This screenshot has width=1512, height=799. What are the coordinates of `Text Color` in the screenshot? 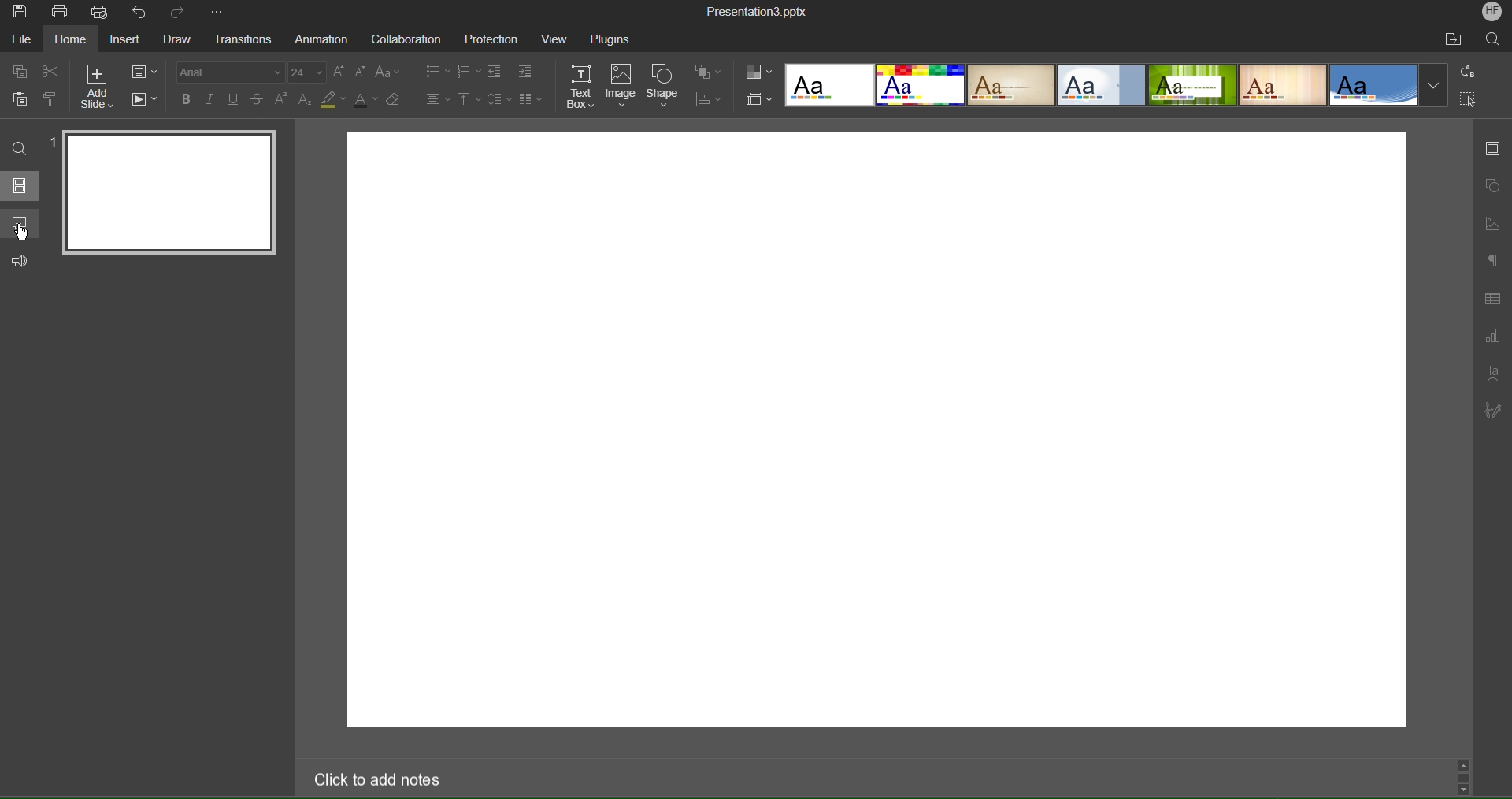 It's located at (364, 101).